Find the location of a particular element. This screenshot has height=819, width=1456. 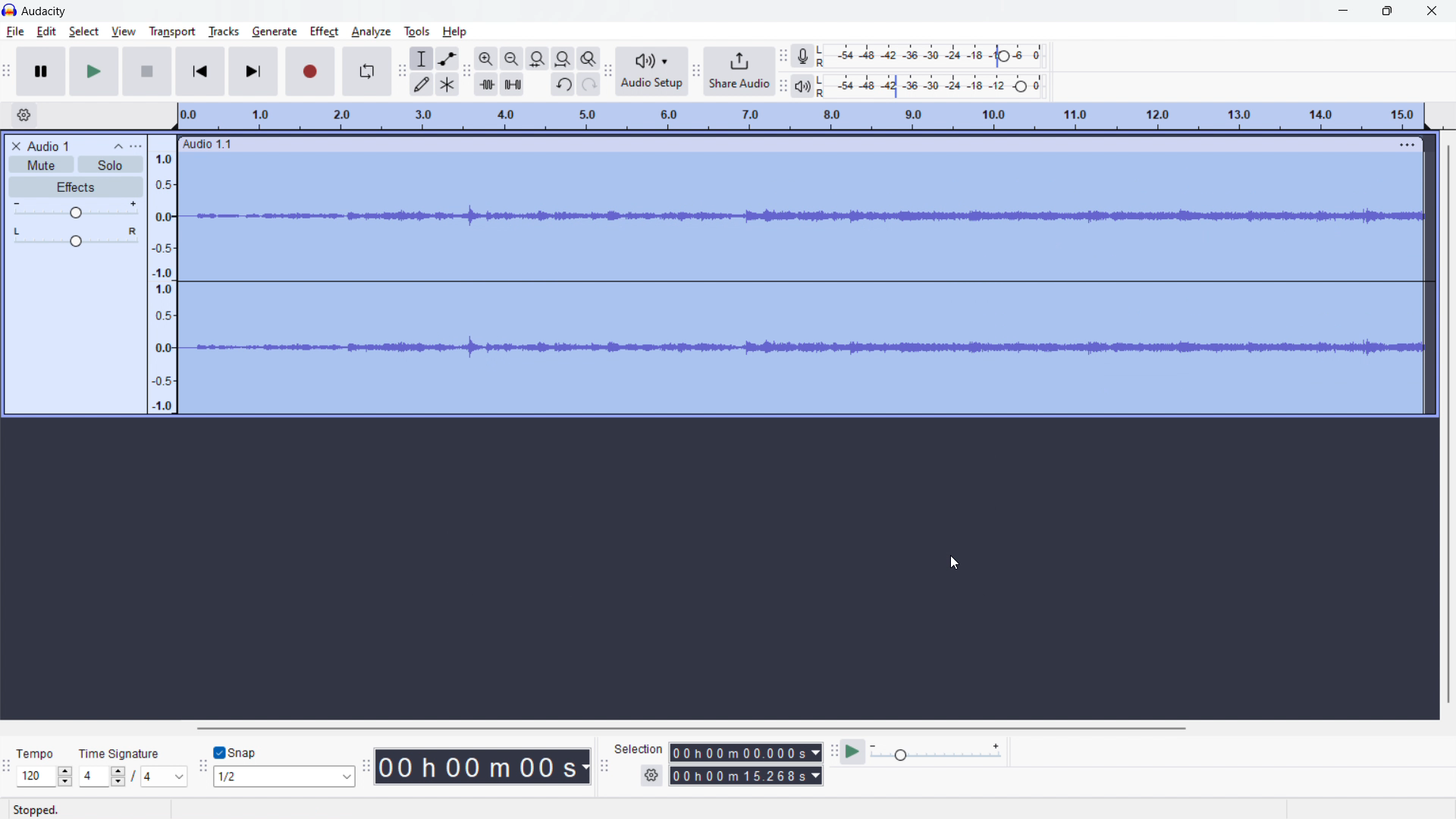

00h00m15.268s (end time) is located at coordinates (746, 776).